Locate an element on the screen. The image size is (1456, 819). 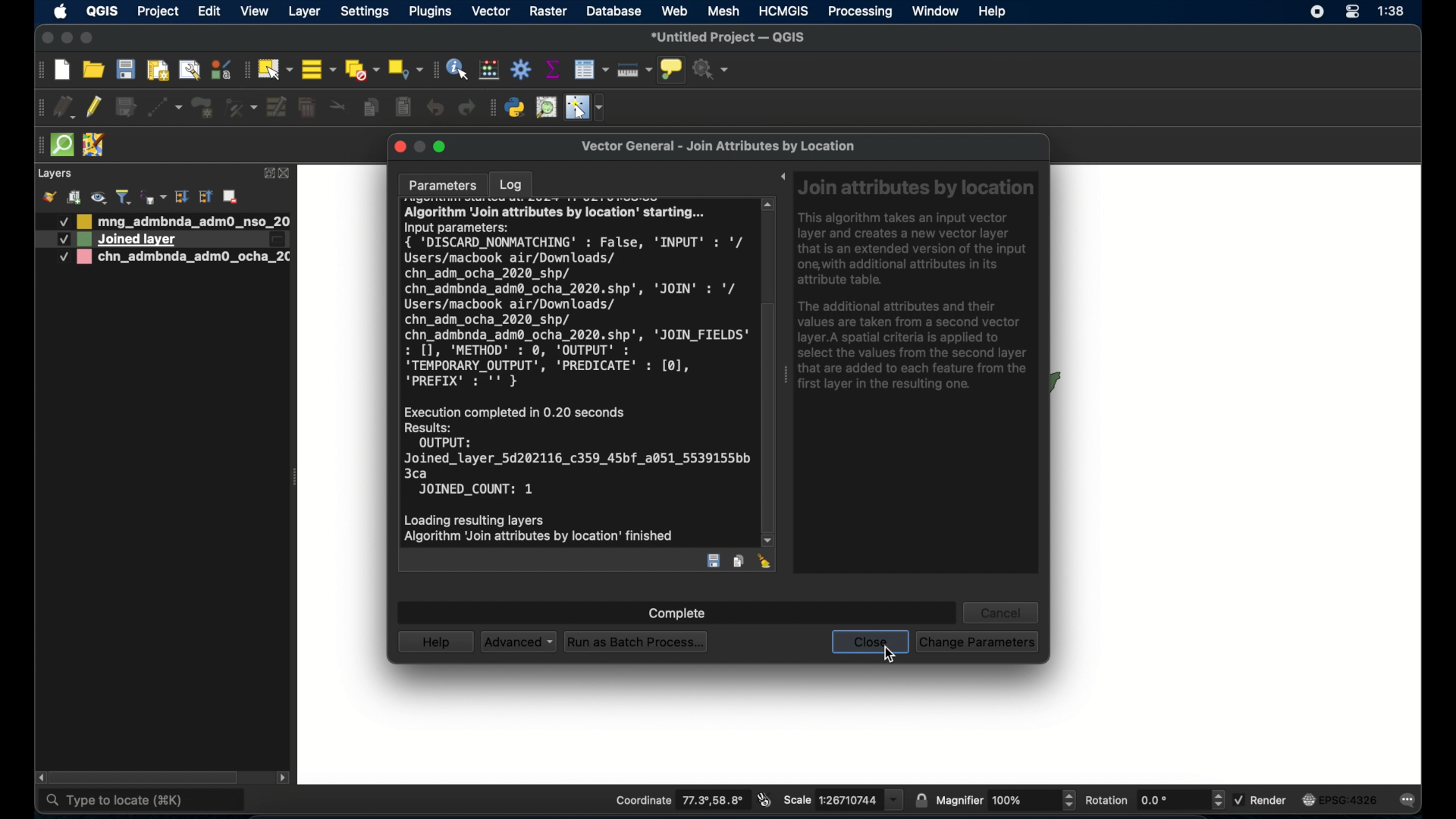
add group is located at coordinates (74, 198).